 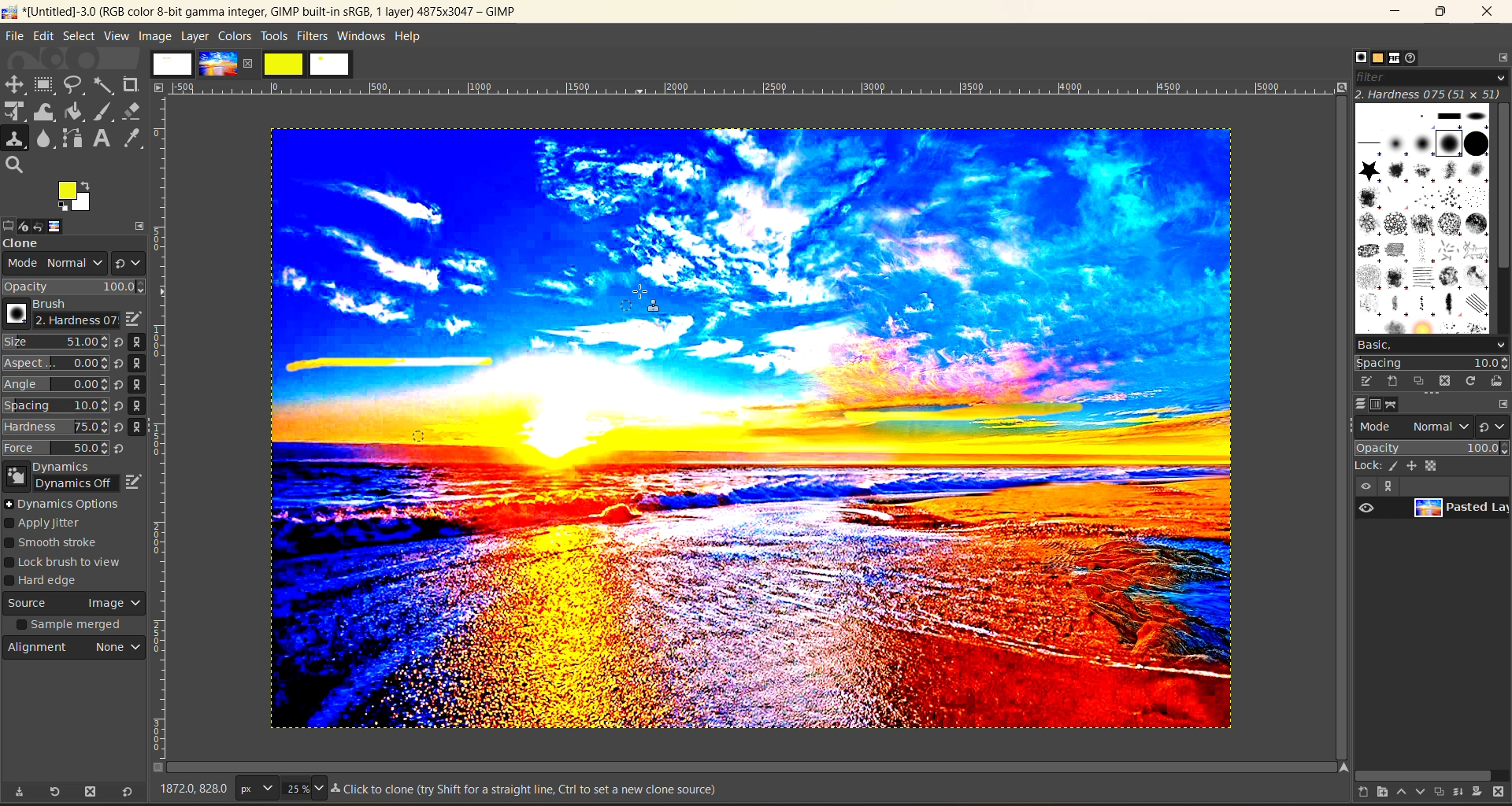 What do you see at coordinates (332, 65) in the screenshot?
I see `white` at bounding box center [332, 65].